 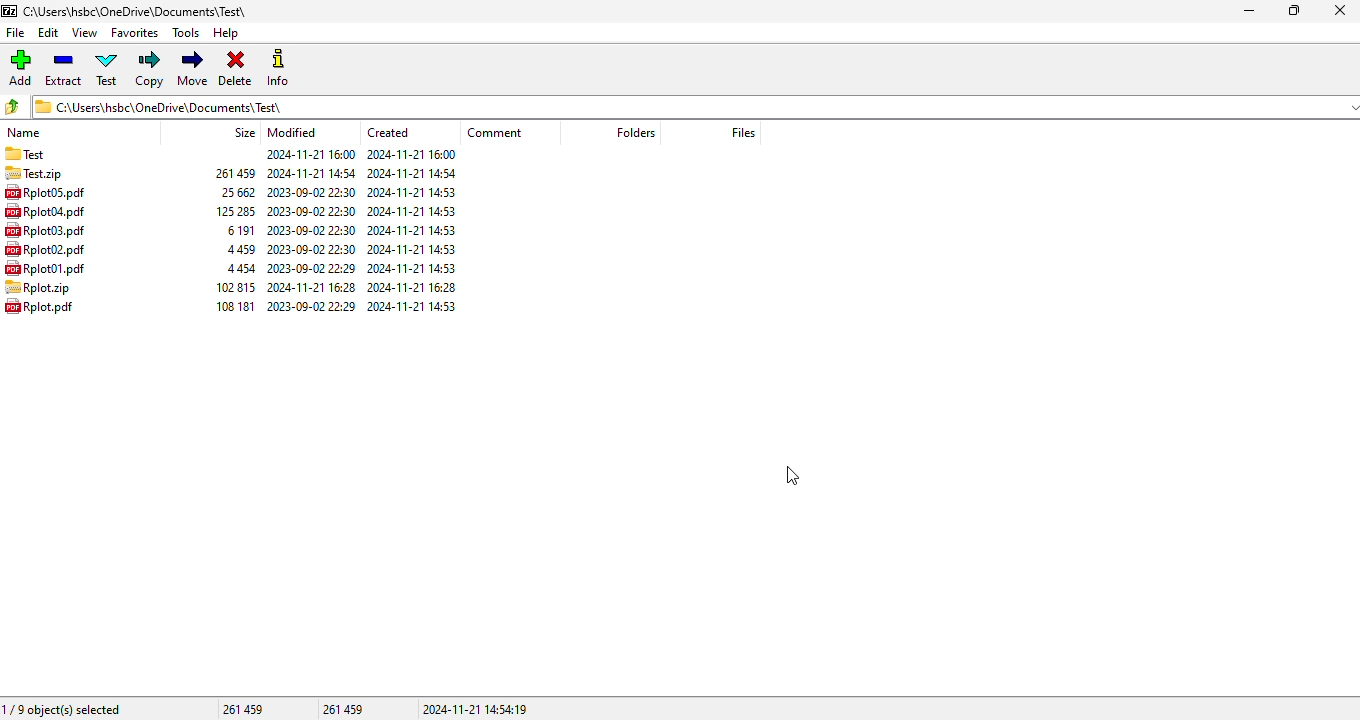 I want to click on close, so click(x=1340, y=10).